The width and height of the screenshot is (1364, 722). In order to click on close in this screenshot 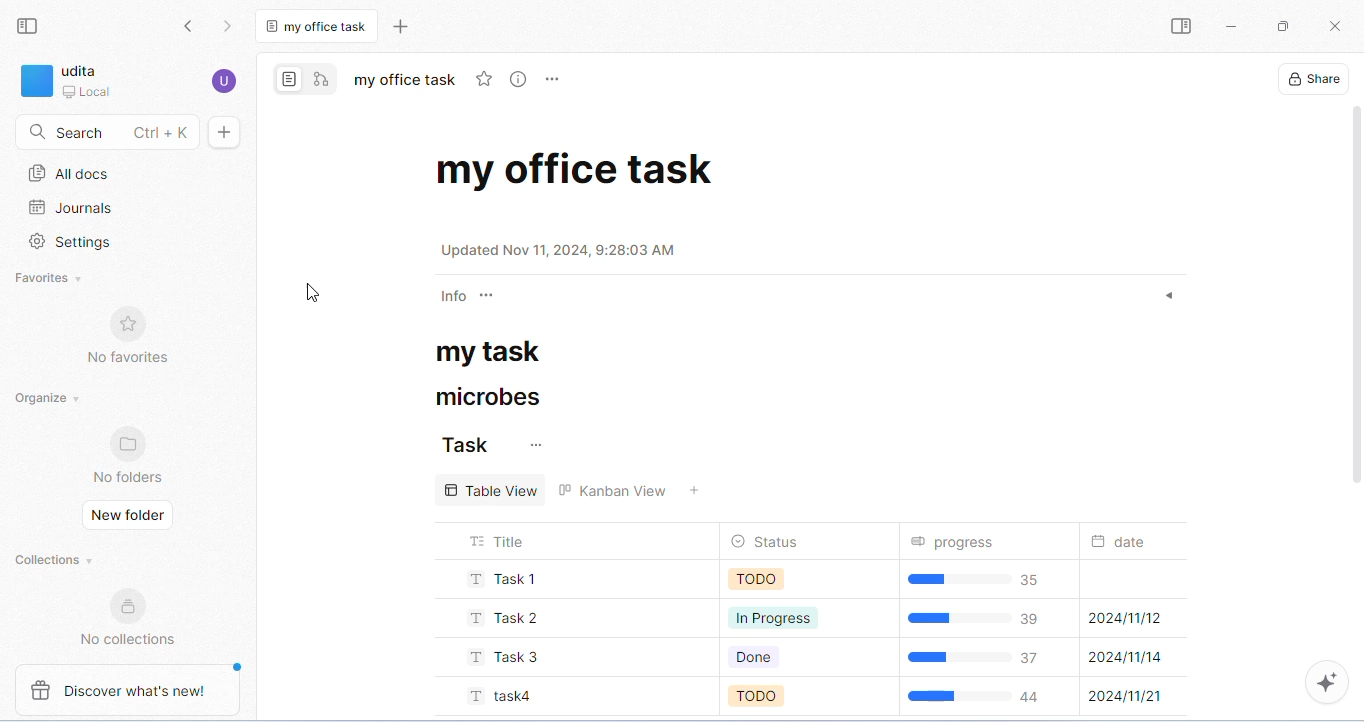, I will do `click(1337, 26)`.